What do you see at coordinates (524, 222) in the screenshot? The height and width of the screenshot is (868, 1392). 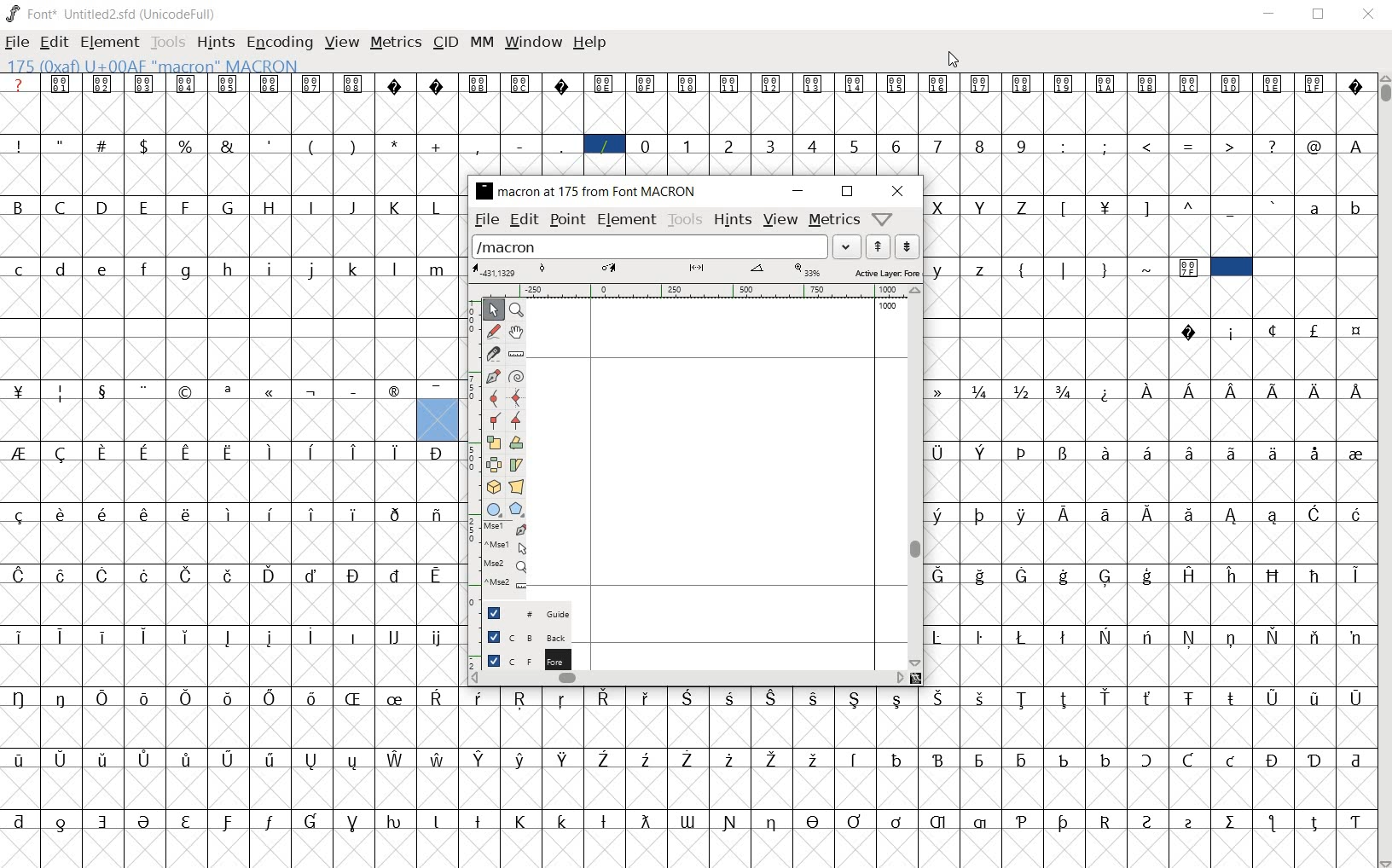 I see `edit` at bounding box center [524, 222].